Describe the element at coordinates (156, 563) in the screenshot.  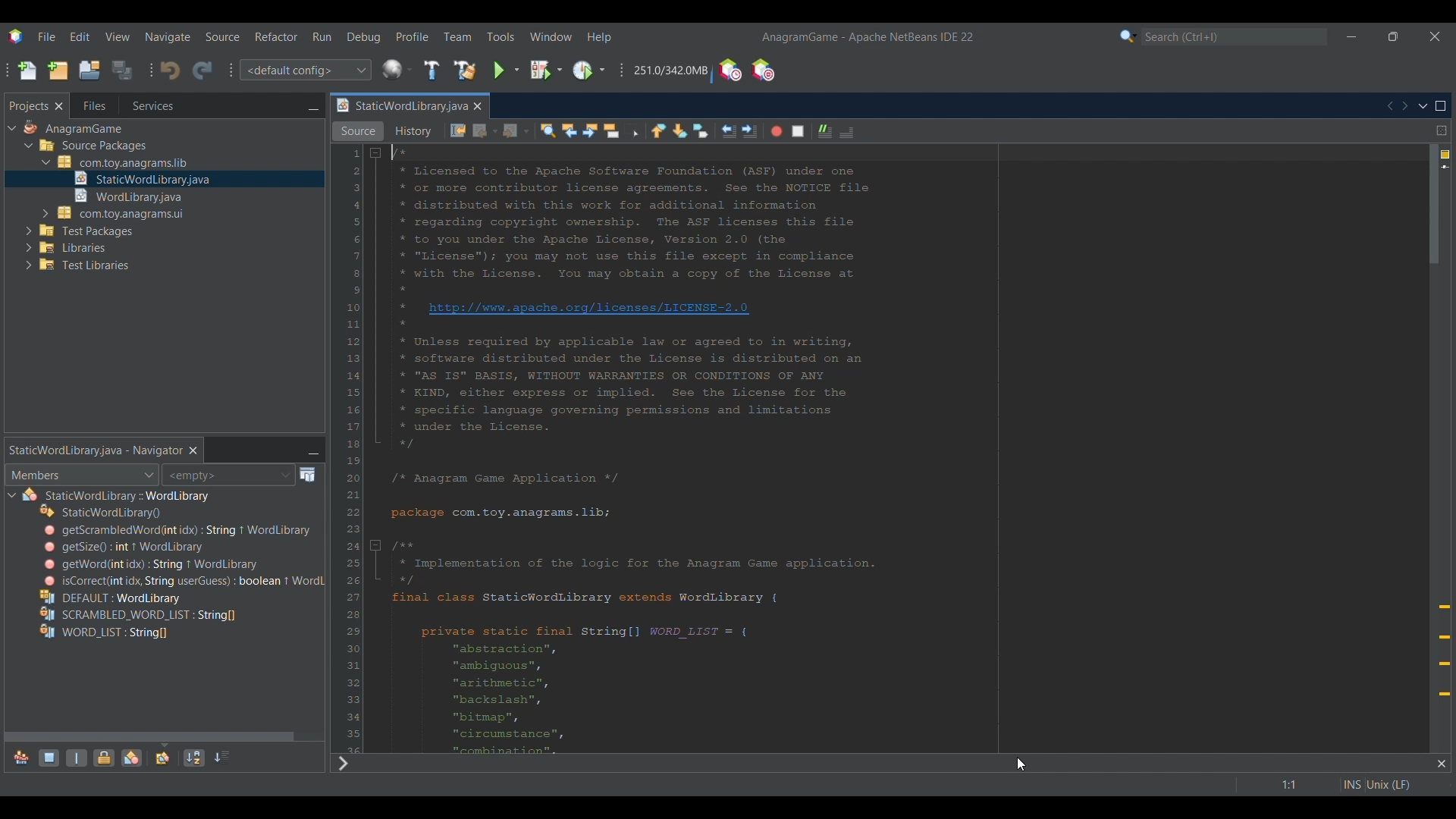
I see `` at that location.